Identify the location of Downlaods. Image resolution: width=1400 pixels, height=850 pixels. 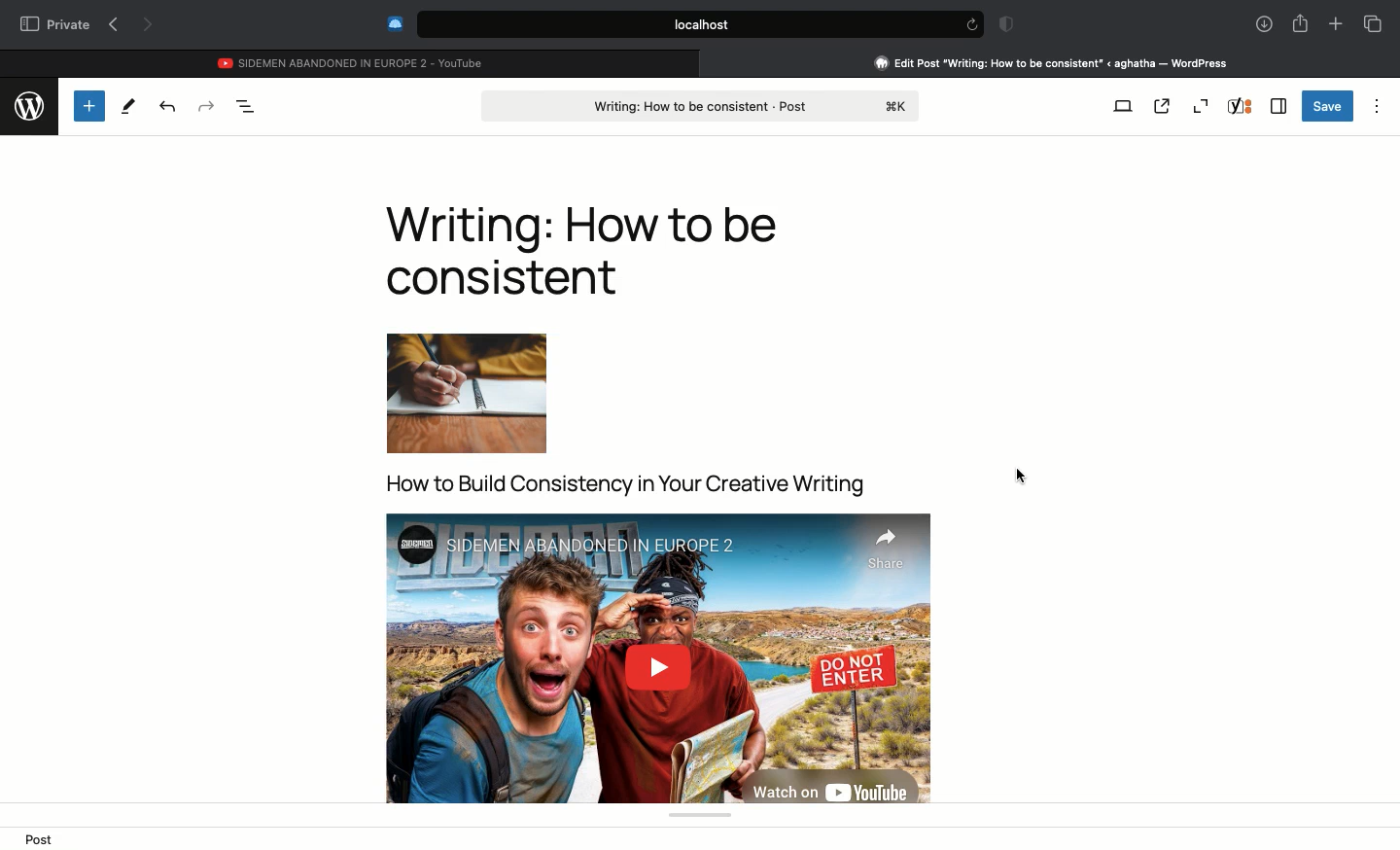
(1261, 25).